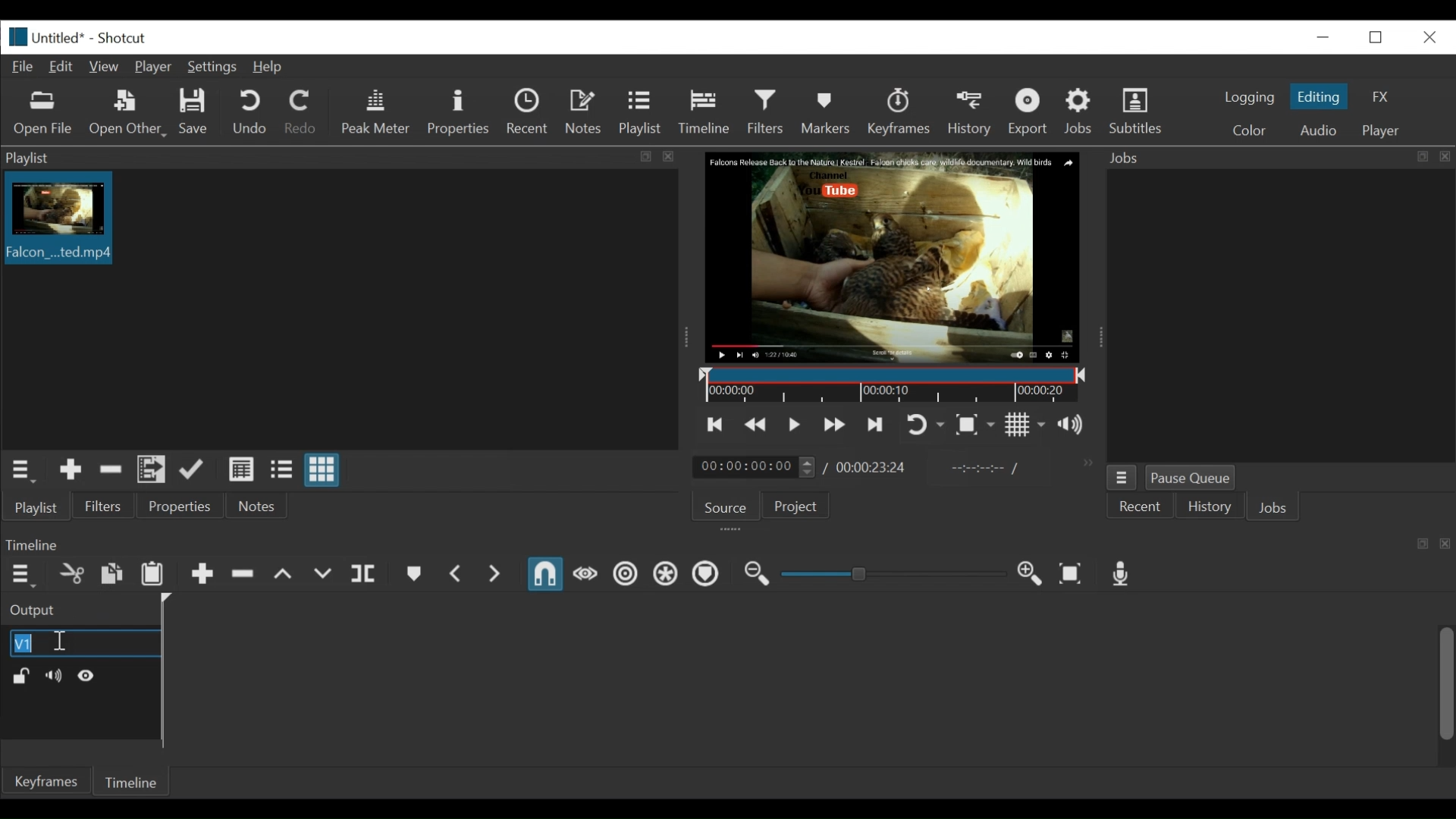 This screenshot has width=1456, height=819. What do you see at coordinates (585, 111) in the screenshot?
I see `Notes` at bounding box center [585, 111].